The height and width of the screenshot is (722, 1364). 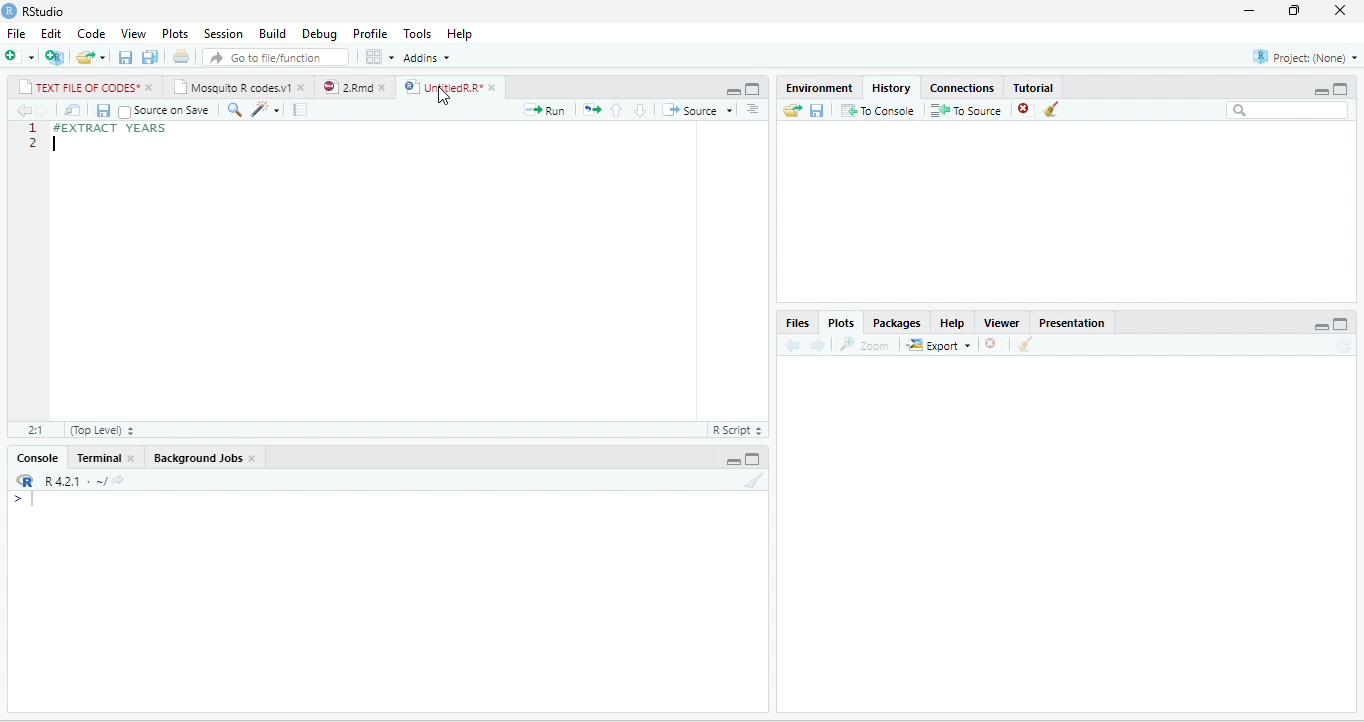 I want to click on Build, so click(x=273, y=34).